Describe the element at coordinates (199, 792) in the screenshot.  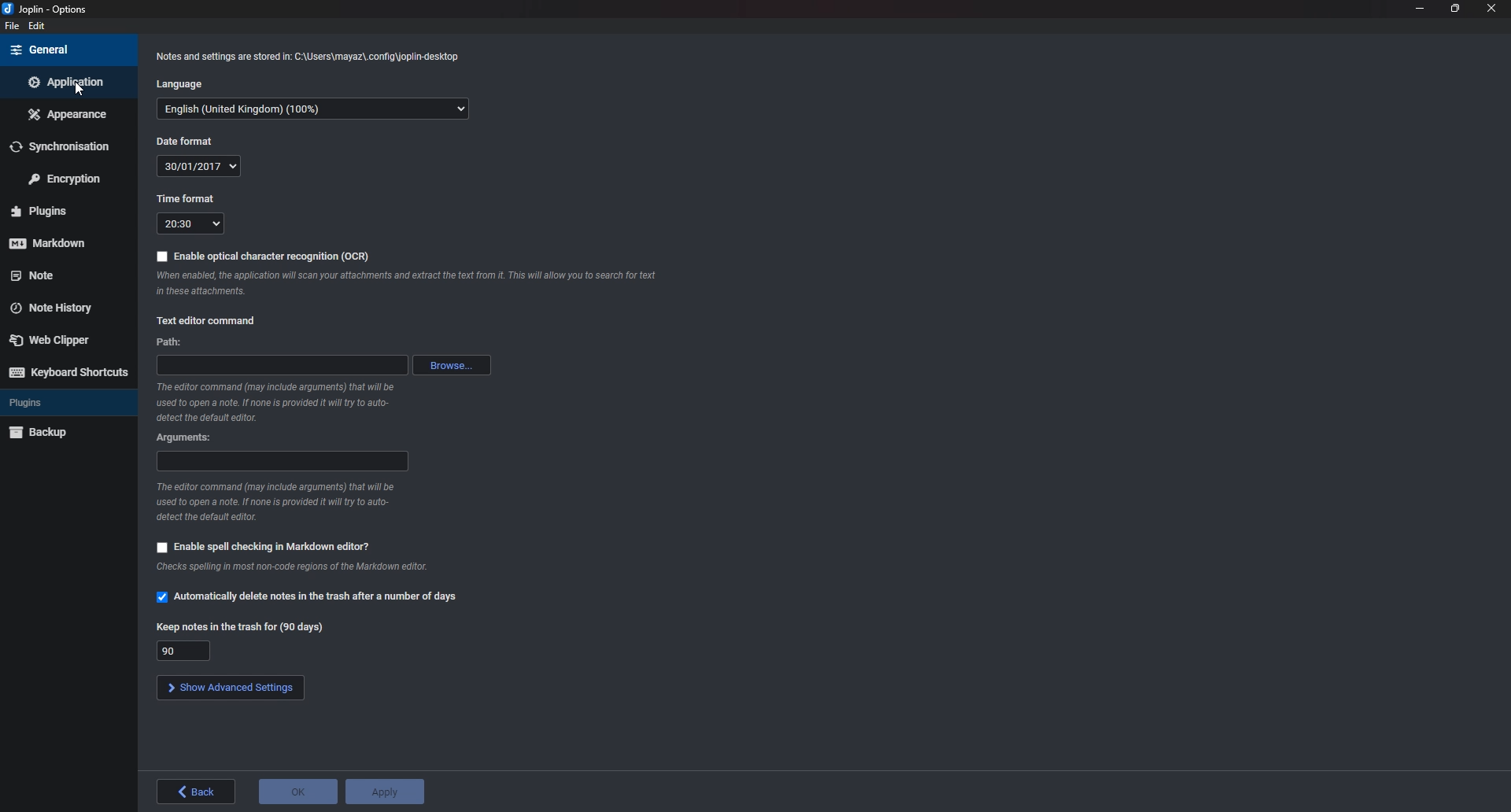
I see `back` at that location.